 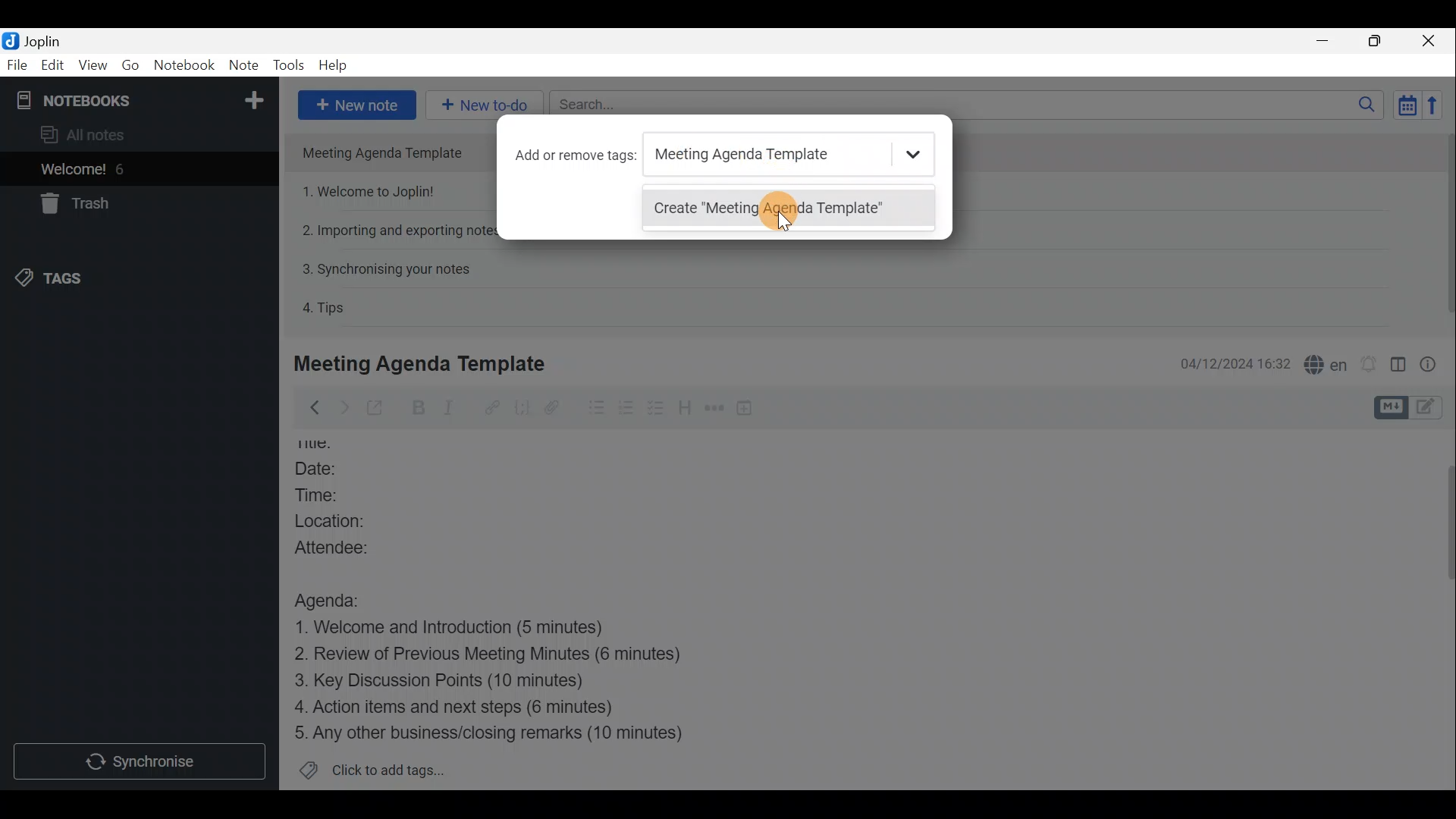 I want to click on 1. Welcome to Joplin!, so click(x=373, y=191).